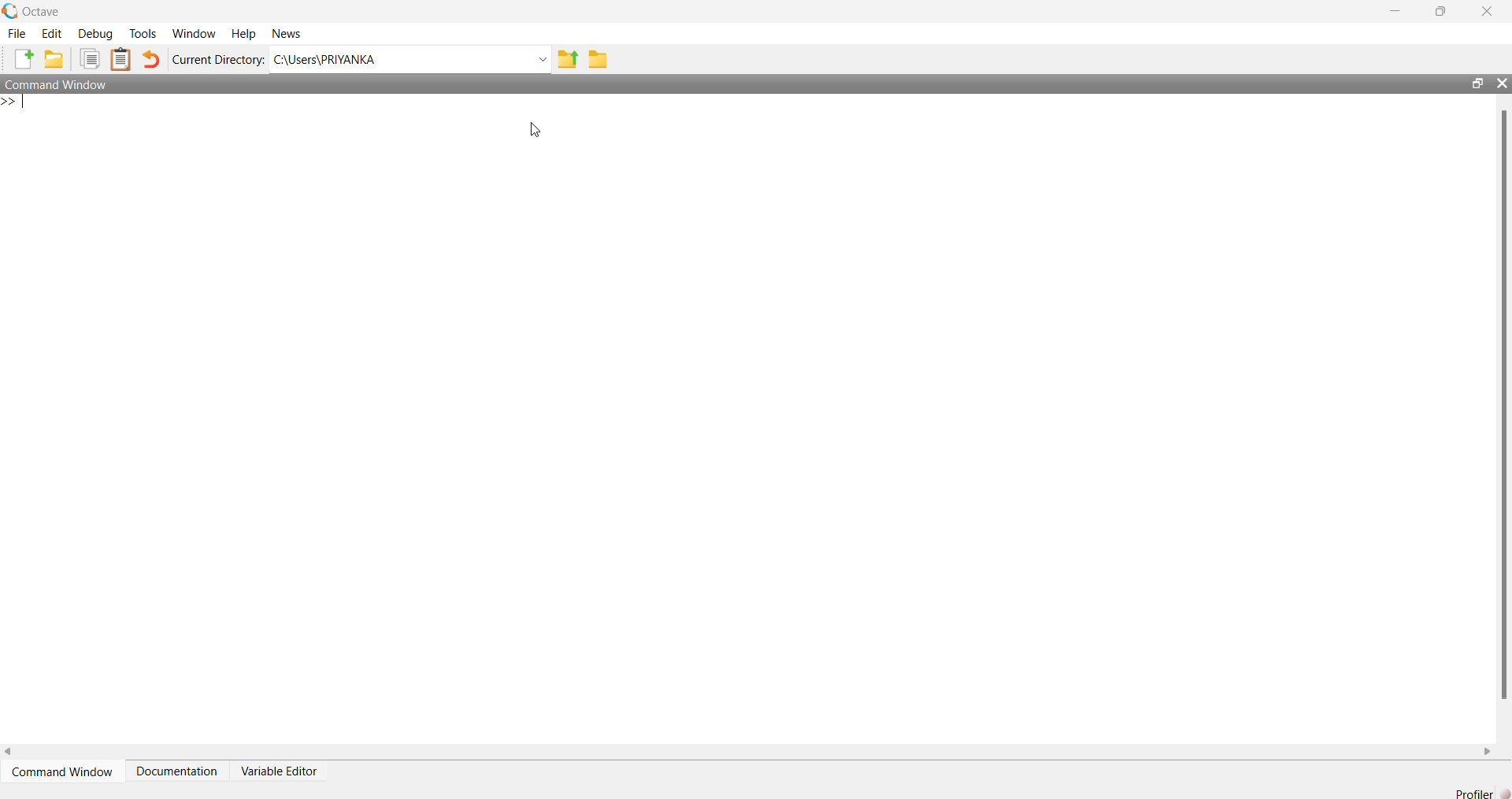 The width and height of the screenshot is (1512, 799). Describe the element at coordinates (278, 766) in the screenshot. I see `Variable Editor` at that location.